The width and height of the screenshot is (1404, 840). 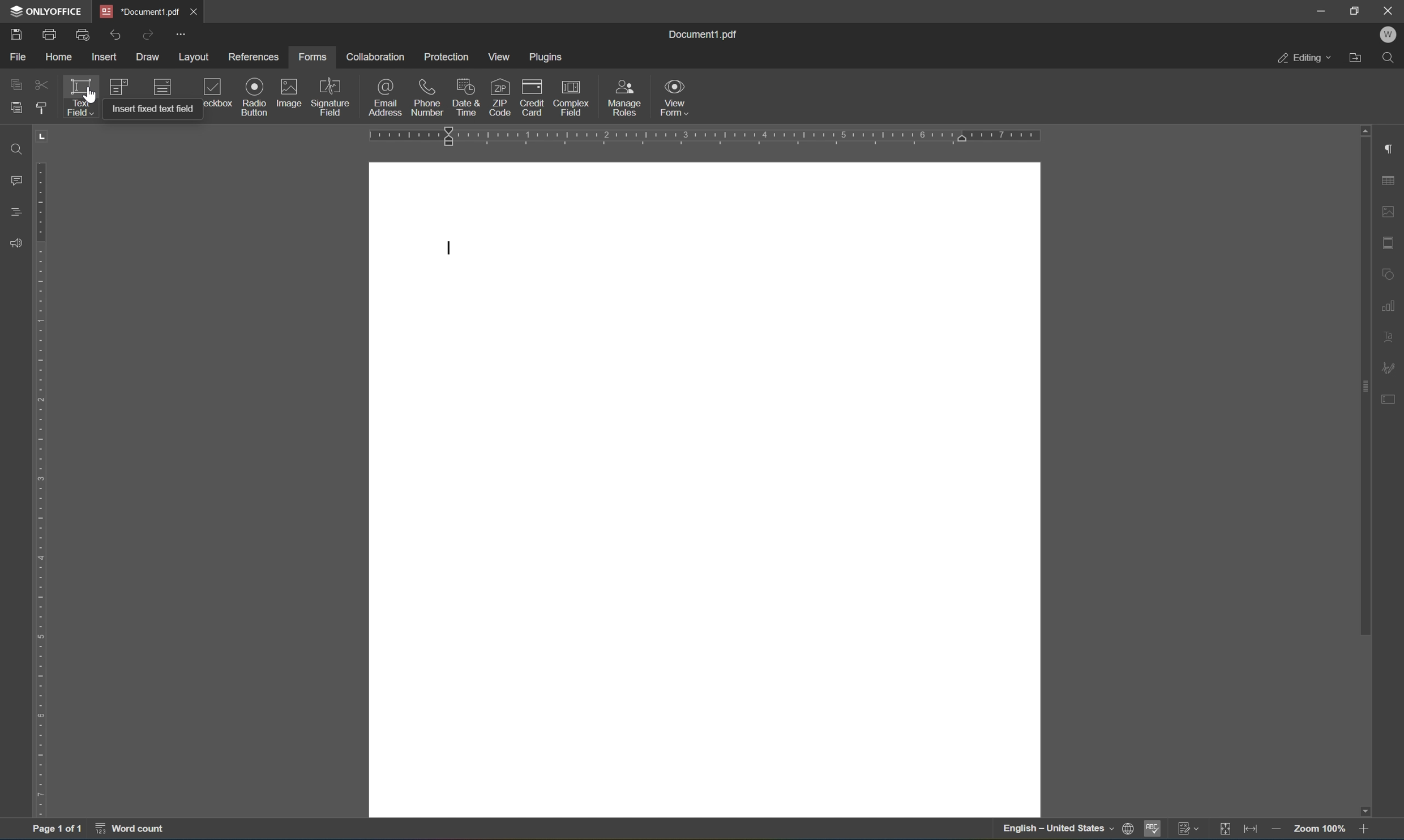 What do you see at coordinates (1389, 146) in the screenshot?
I see `paragraph settings` at bounding box center [1389, 146].